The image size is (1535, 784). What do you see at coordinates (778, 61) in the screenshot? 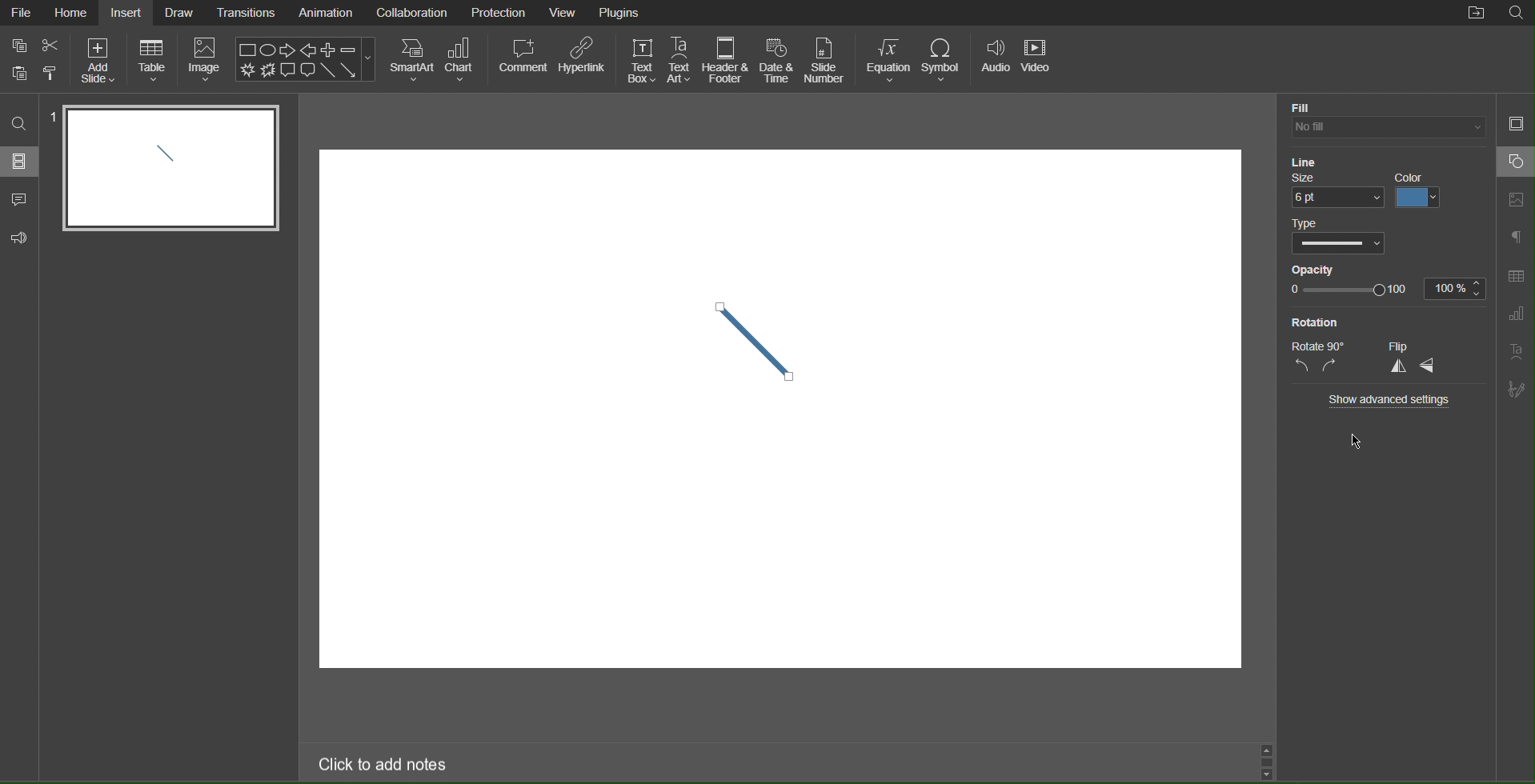
I see `Date & Time` at bounding box center [778, 61].